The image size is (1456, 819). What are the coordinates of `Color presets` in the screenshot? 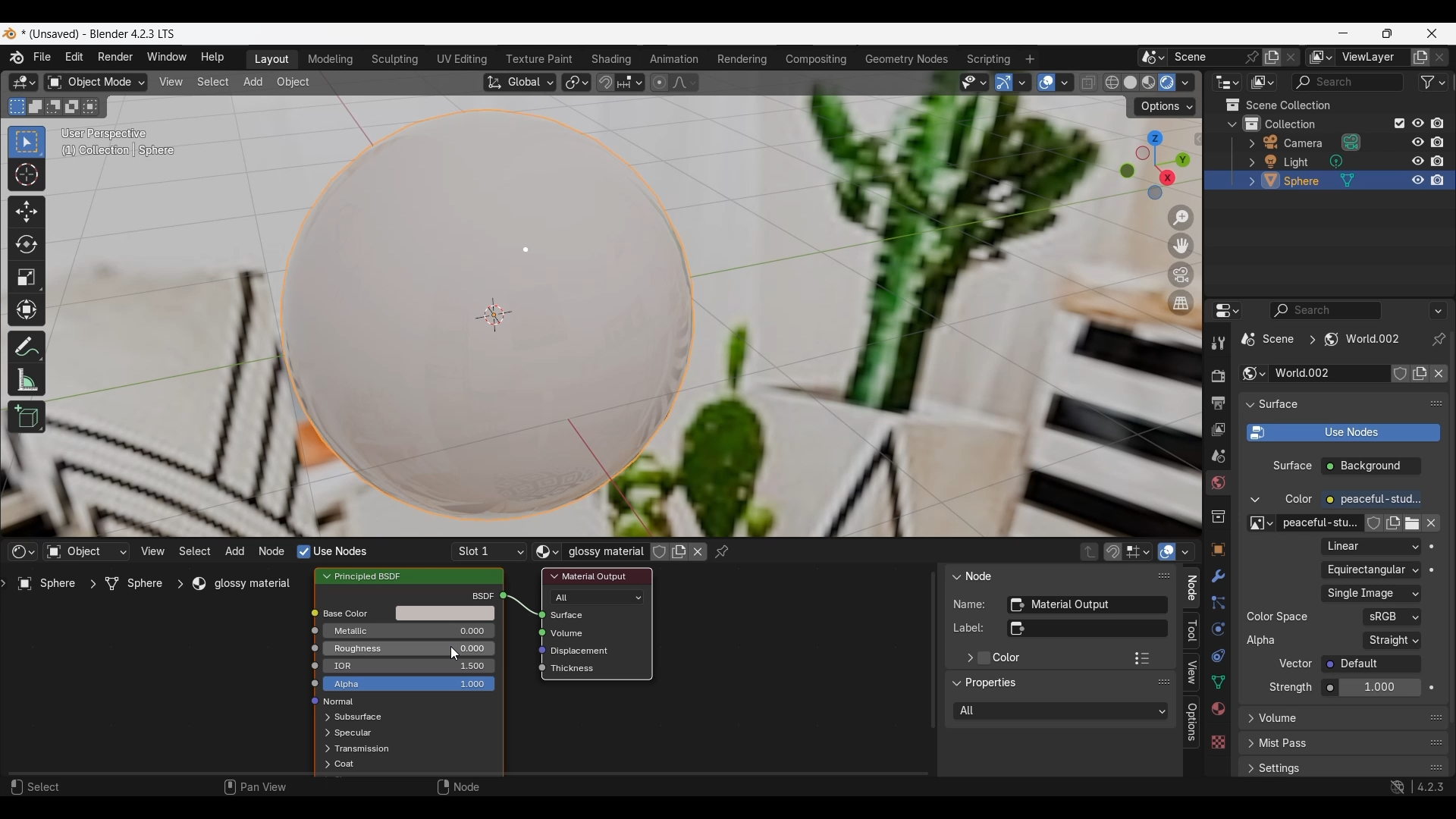 It's located at (1142, 658).